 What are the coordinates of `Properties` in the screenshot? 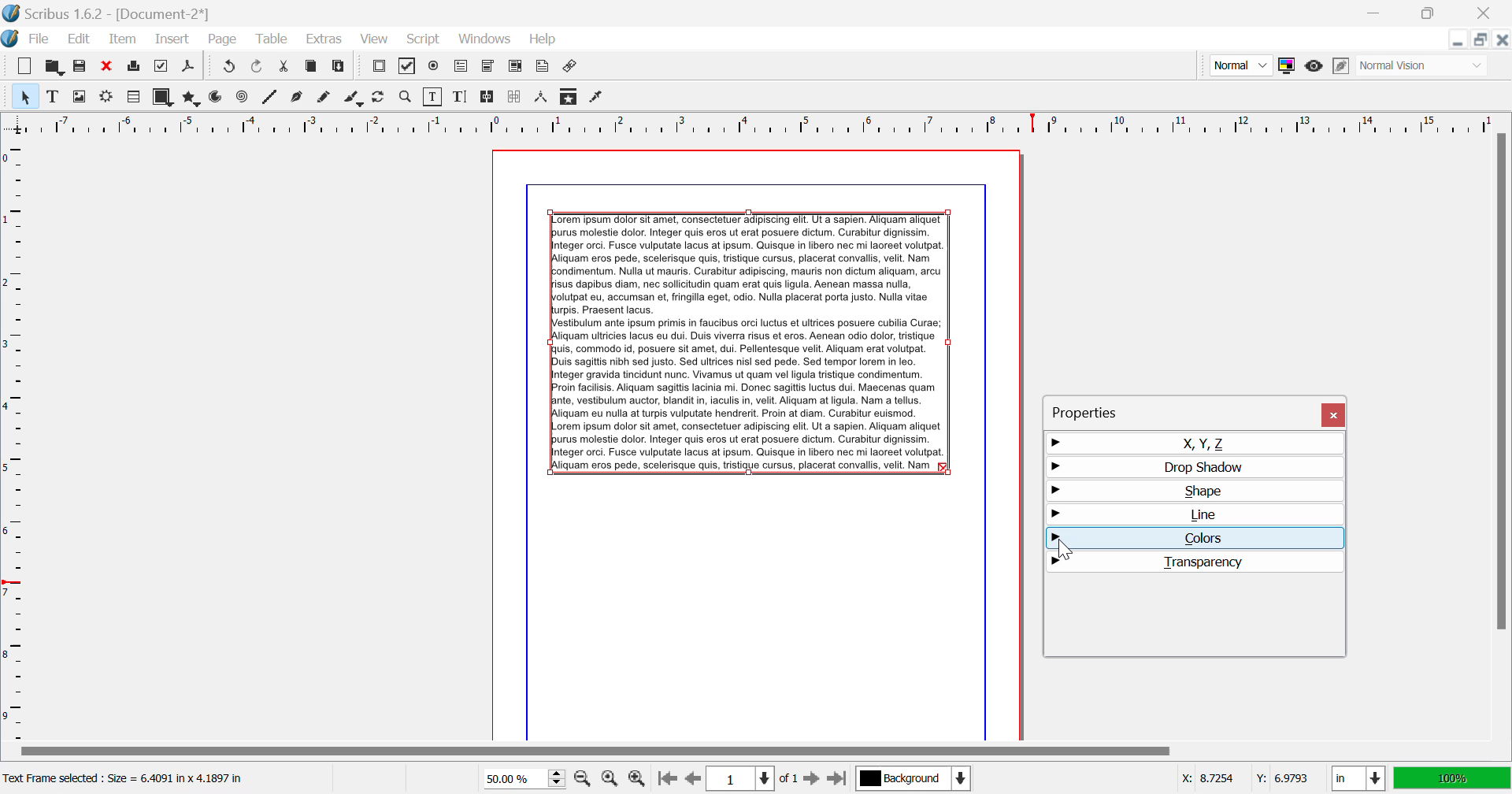 It's located at (1102, 410).